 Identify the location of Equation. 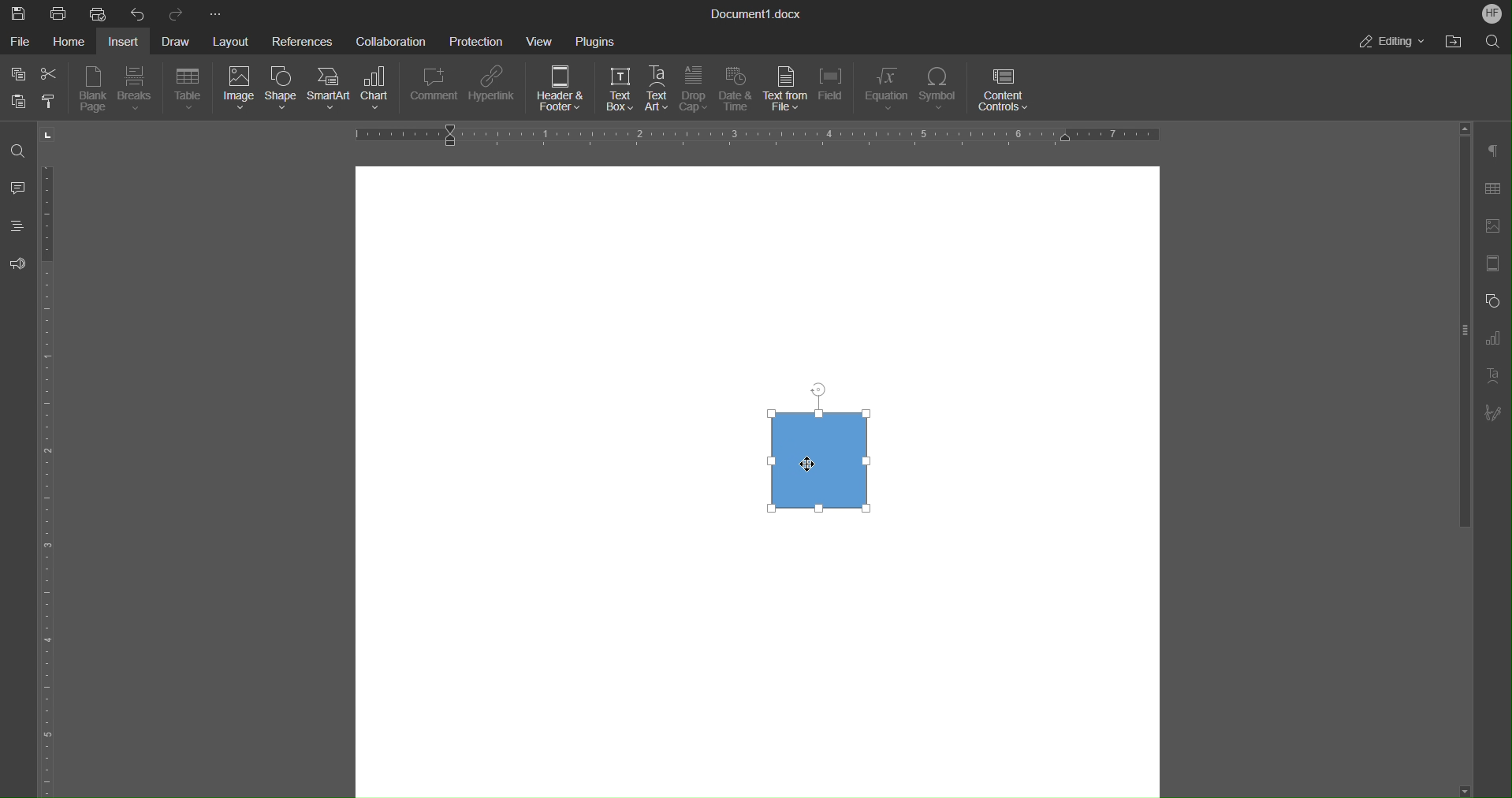
(888, 91).